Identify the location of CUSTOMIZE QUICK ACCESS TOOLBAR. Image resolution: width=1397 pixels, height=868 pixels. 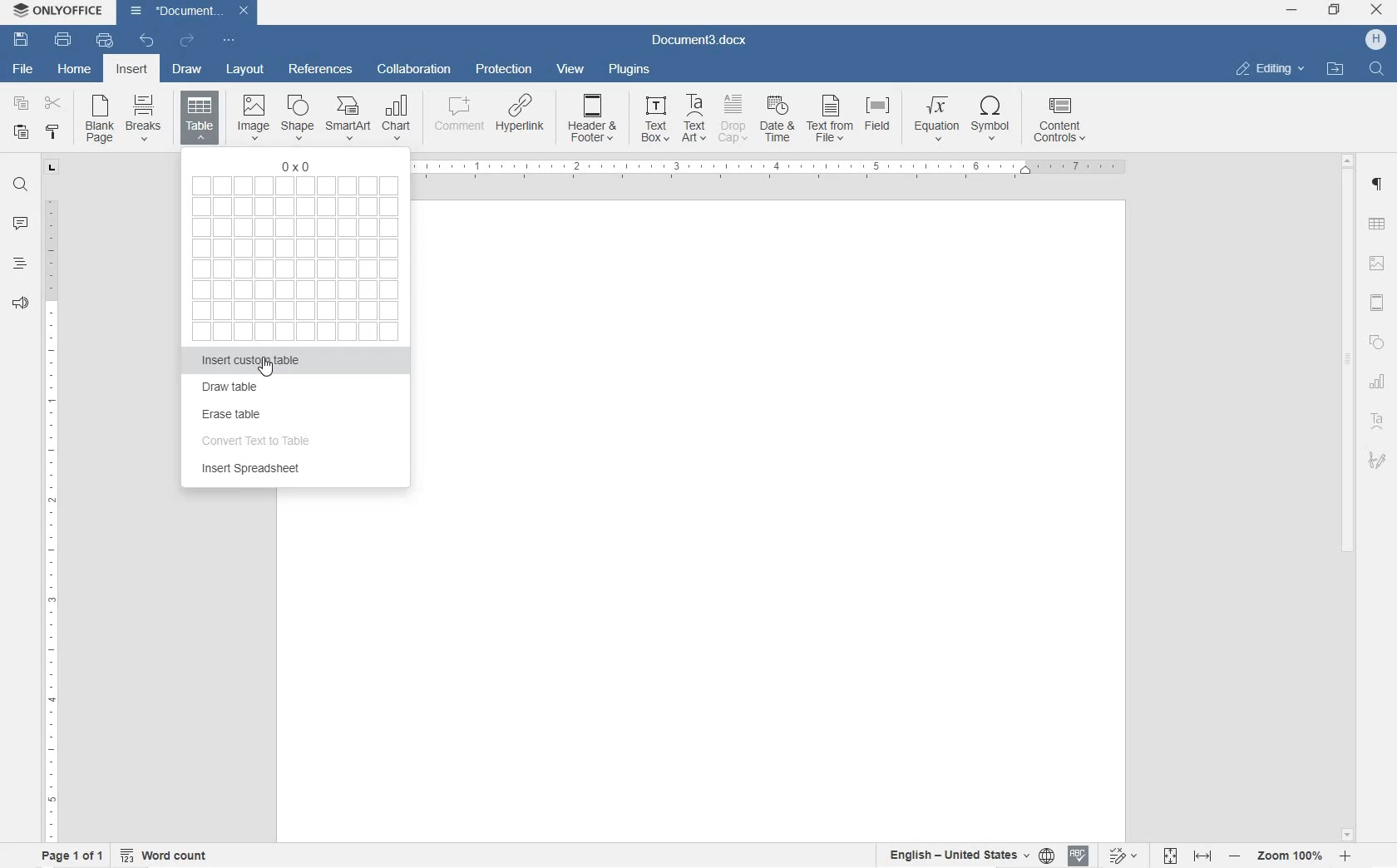
(227, 40).